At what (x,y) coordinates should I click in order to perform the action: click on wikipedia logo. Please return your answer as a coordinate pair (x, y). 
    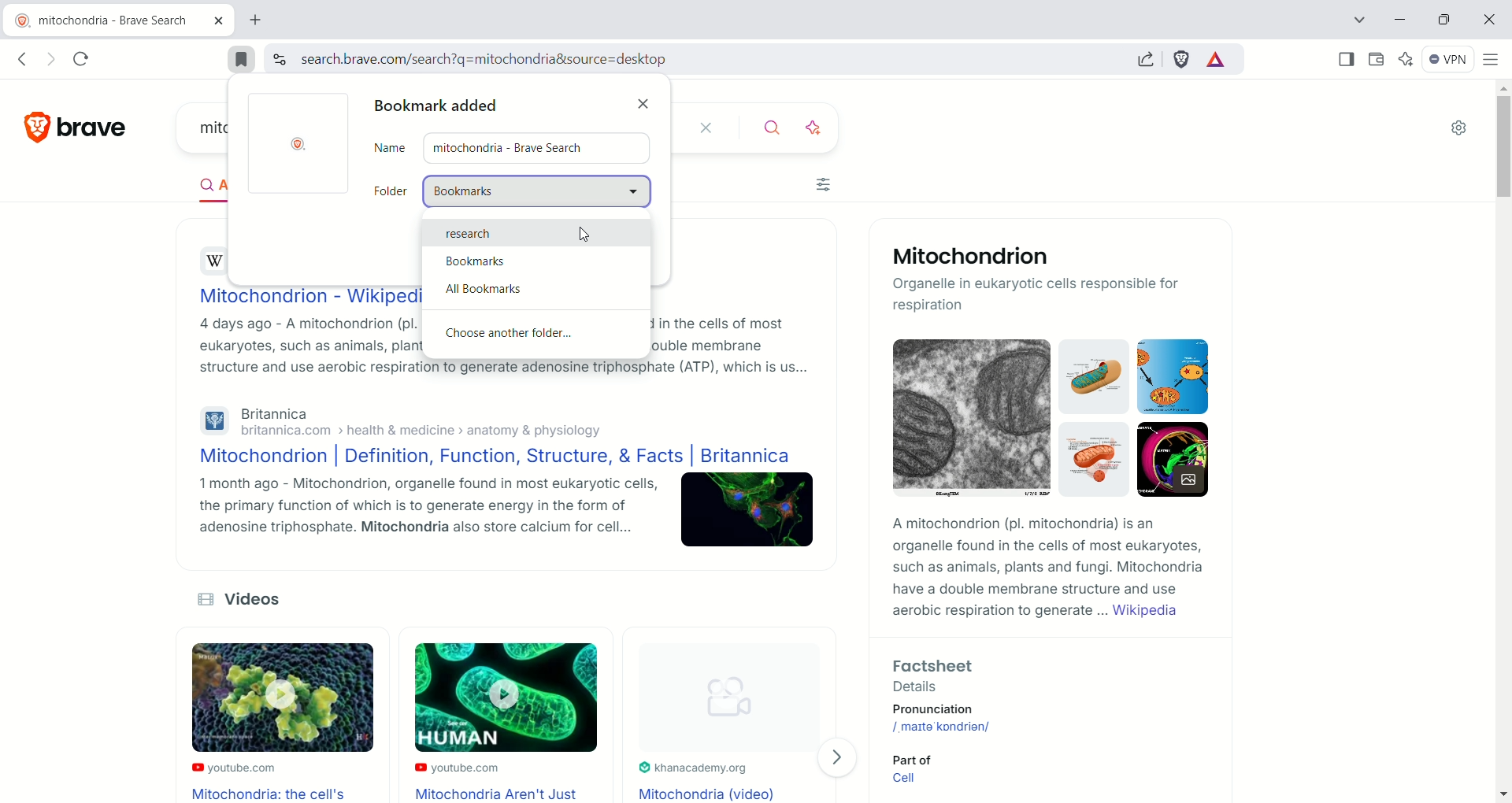
    Looking at the image, I should click on (217, 261).